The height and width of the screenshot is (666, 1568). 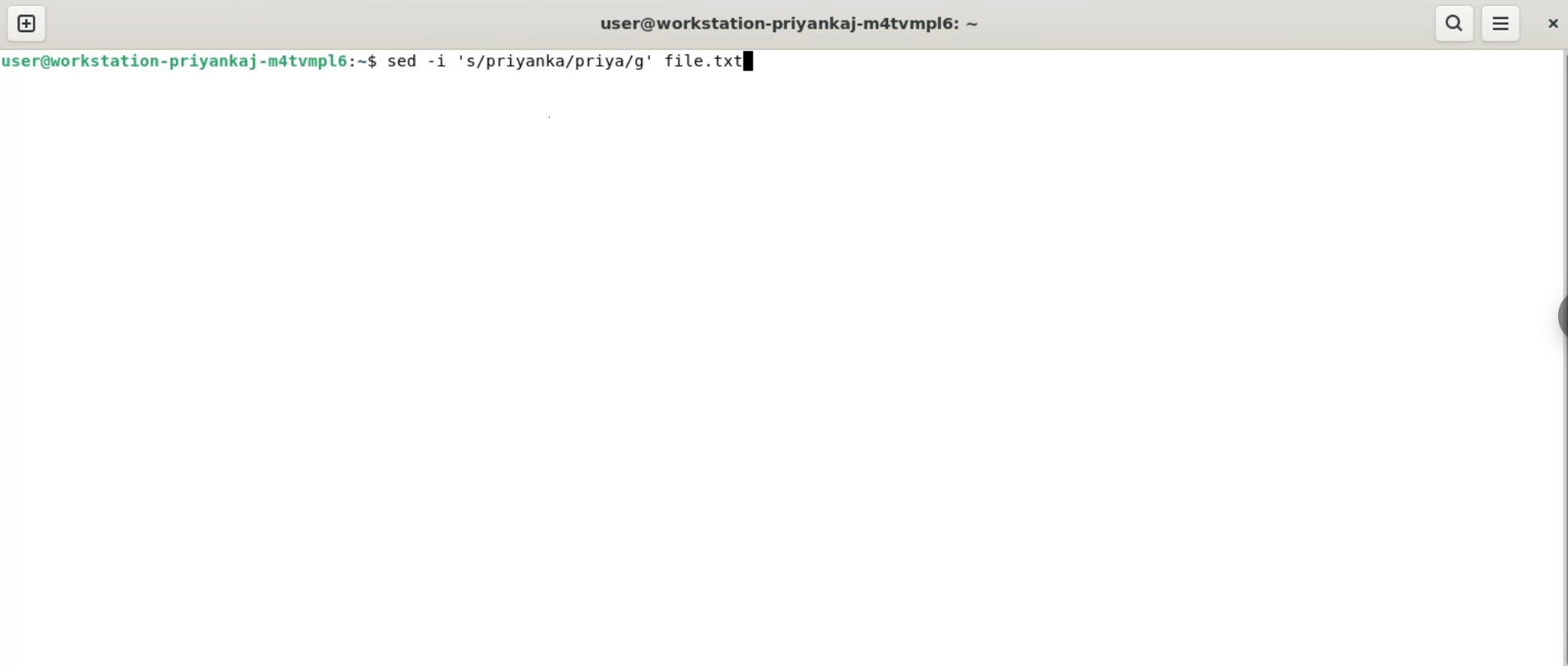 I want to click on search, so click(x=1456, y=23).